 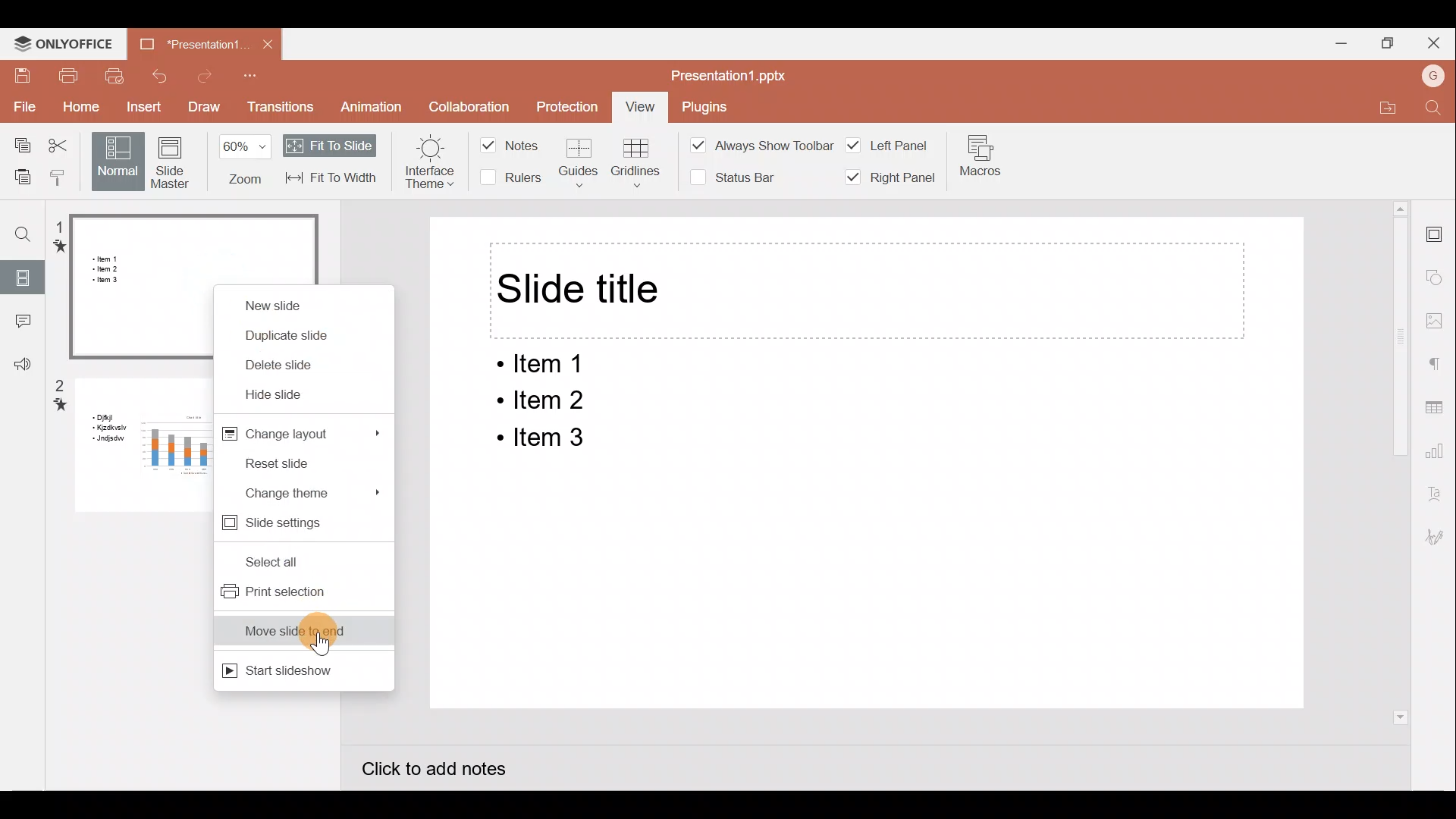 What do you see at coordinates (64, 76) in the screenshot?
I see `Print file` at bounding box center [64, 76].